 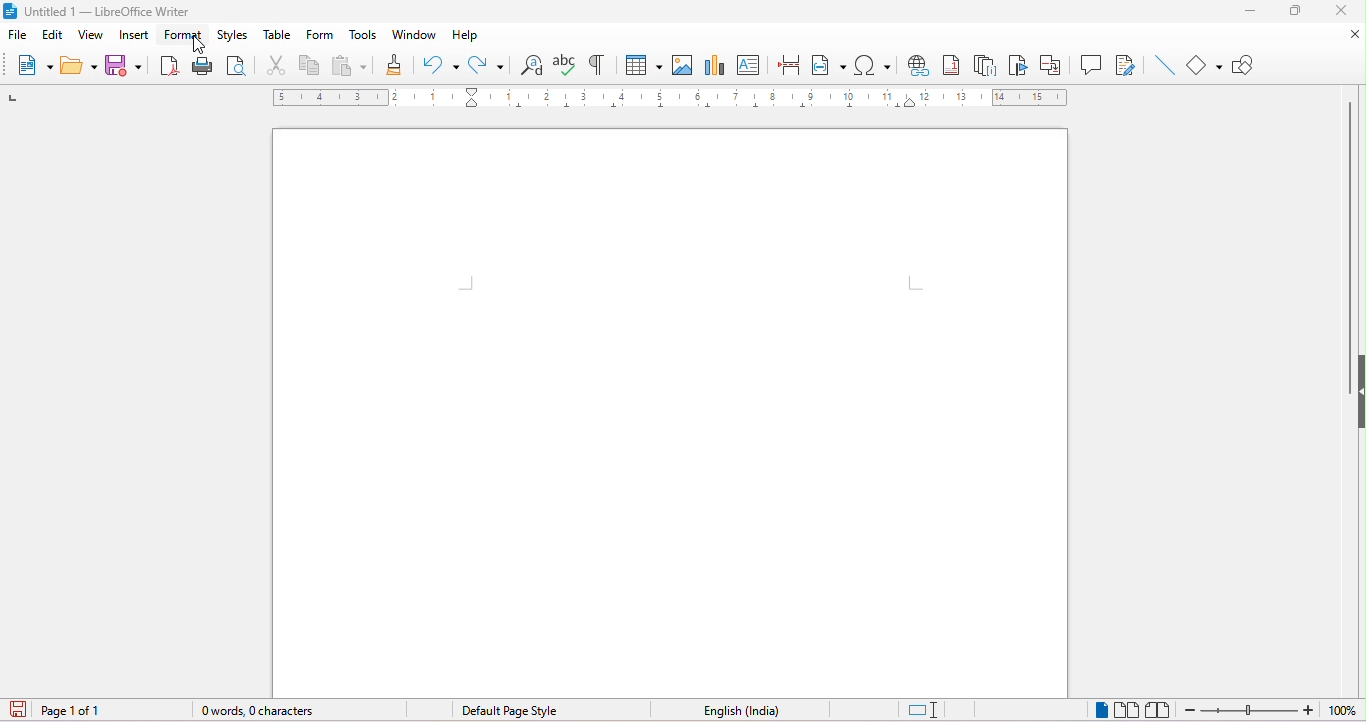 I want to click on zoom out, so click(x=1251, y=708).